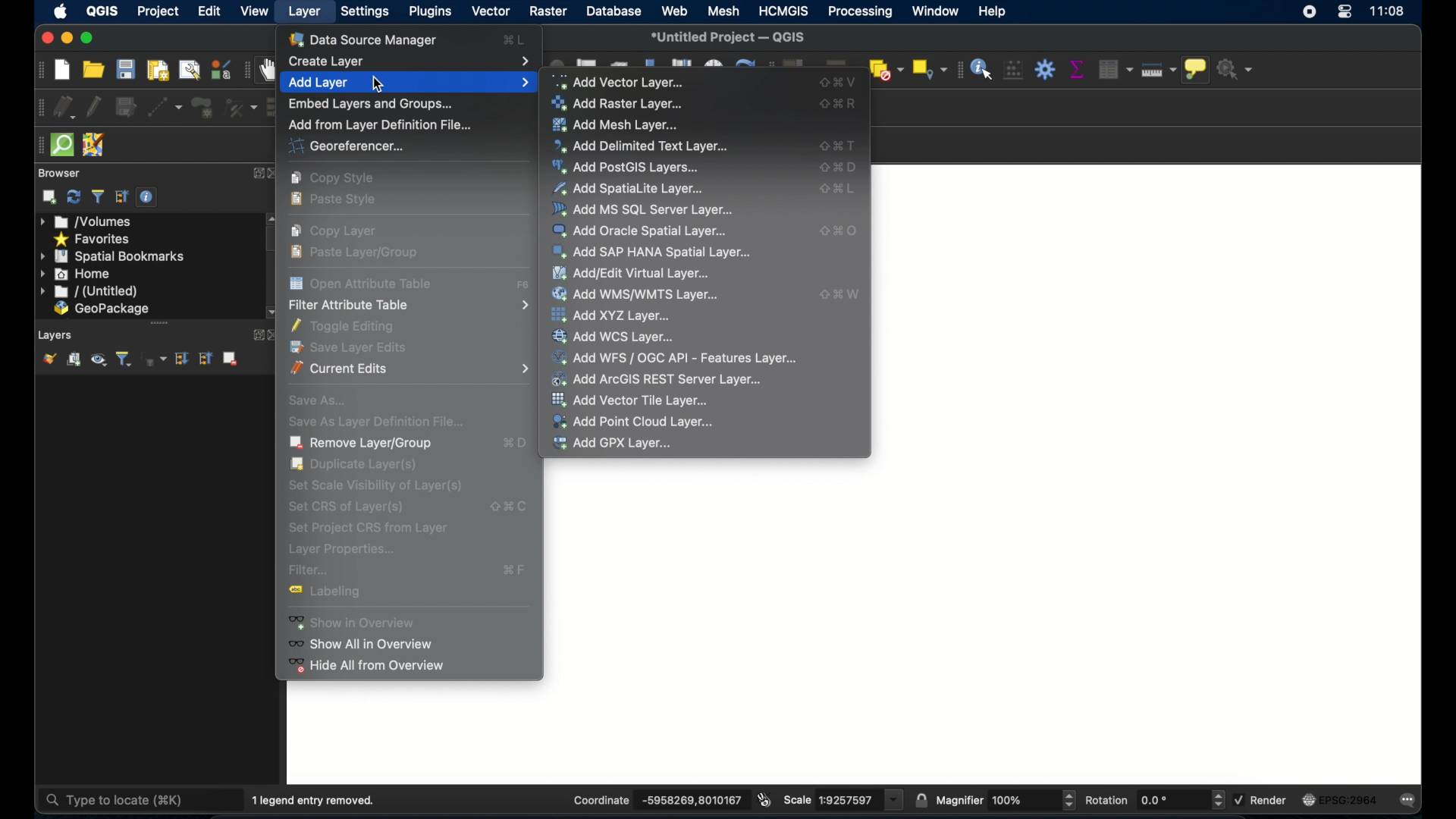 The height and width of the screenshot is (819, 1456). Describe the element at coordinates (307, 14) in the screenshot. I see `layer` at that location.